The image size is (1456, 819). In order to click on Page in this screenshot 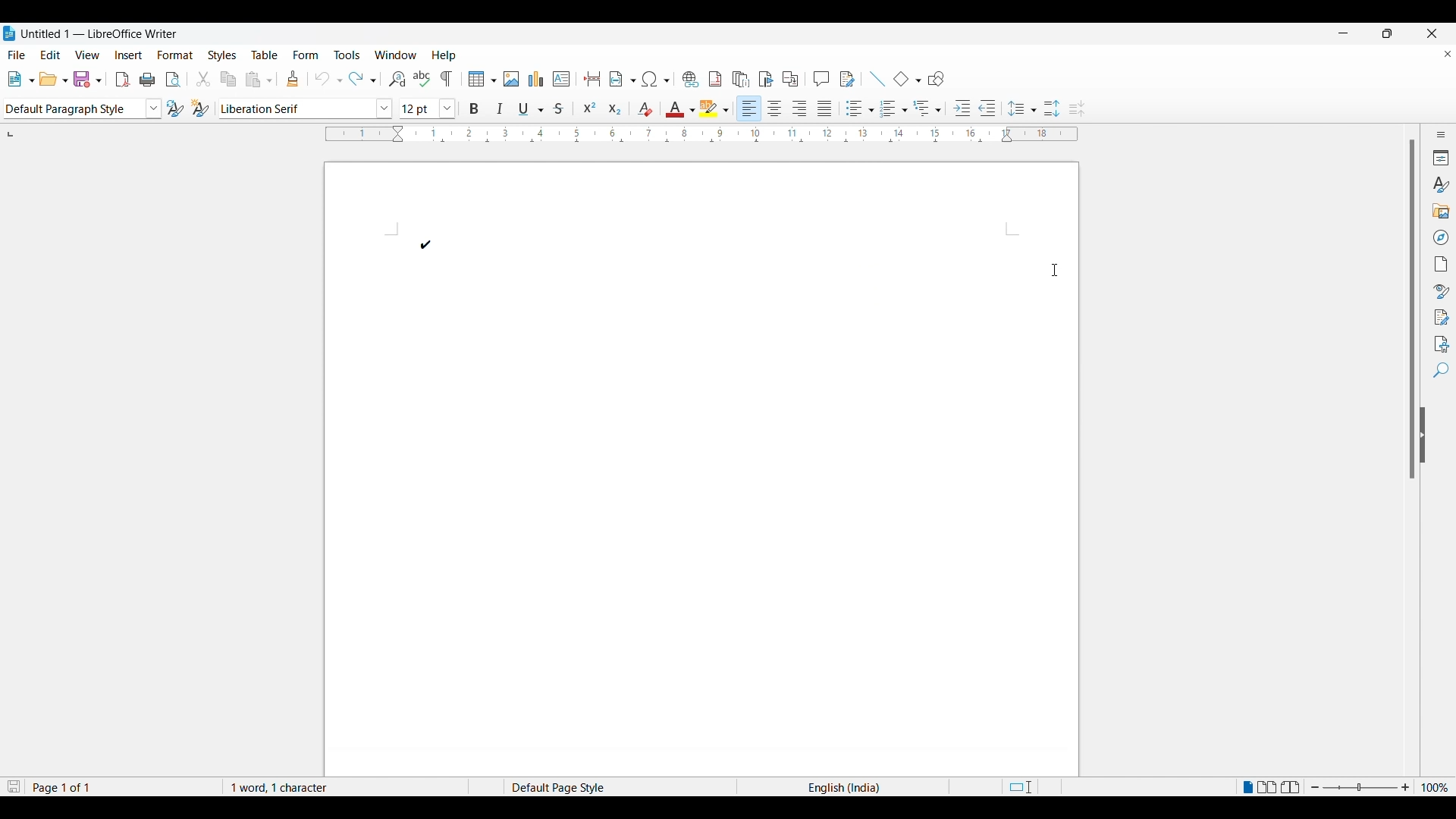, I will do `click(1440, 262)`.